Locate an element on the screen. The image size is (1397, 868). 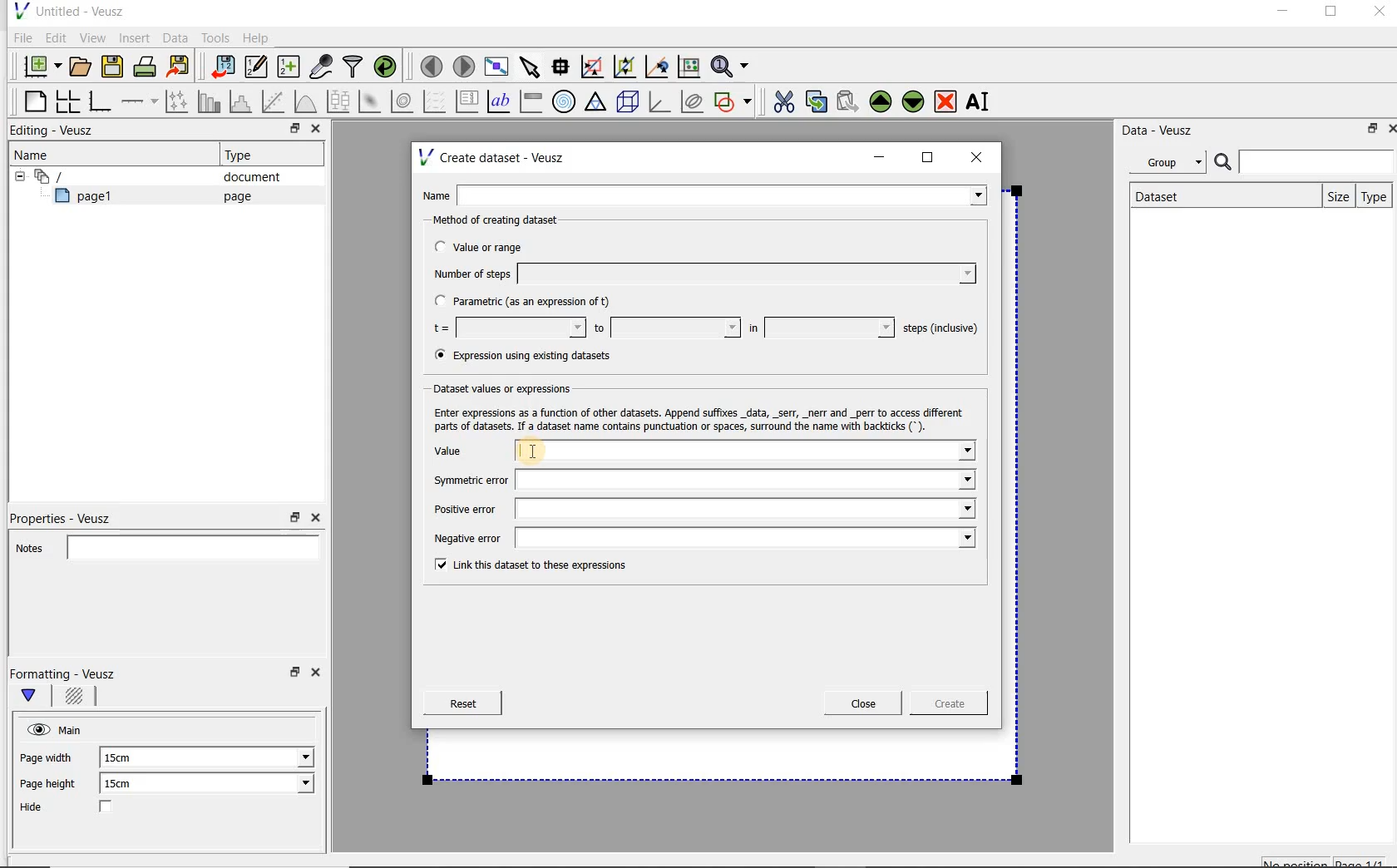
Group is located at coordinates (1172, 165).